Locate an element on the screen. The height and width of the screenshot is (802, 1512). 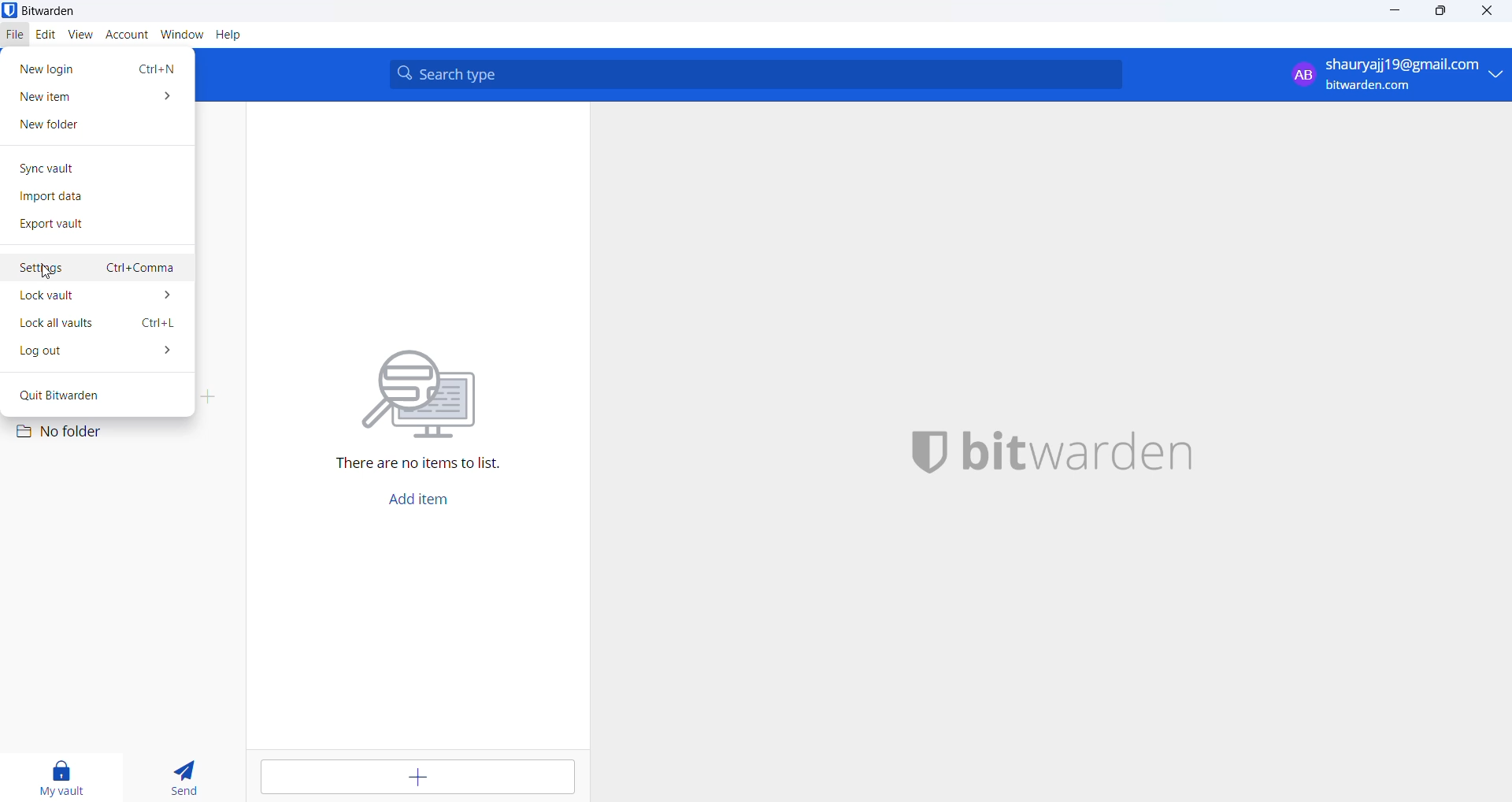
view is located at coordinates (80, 35).